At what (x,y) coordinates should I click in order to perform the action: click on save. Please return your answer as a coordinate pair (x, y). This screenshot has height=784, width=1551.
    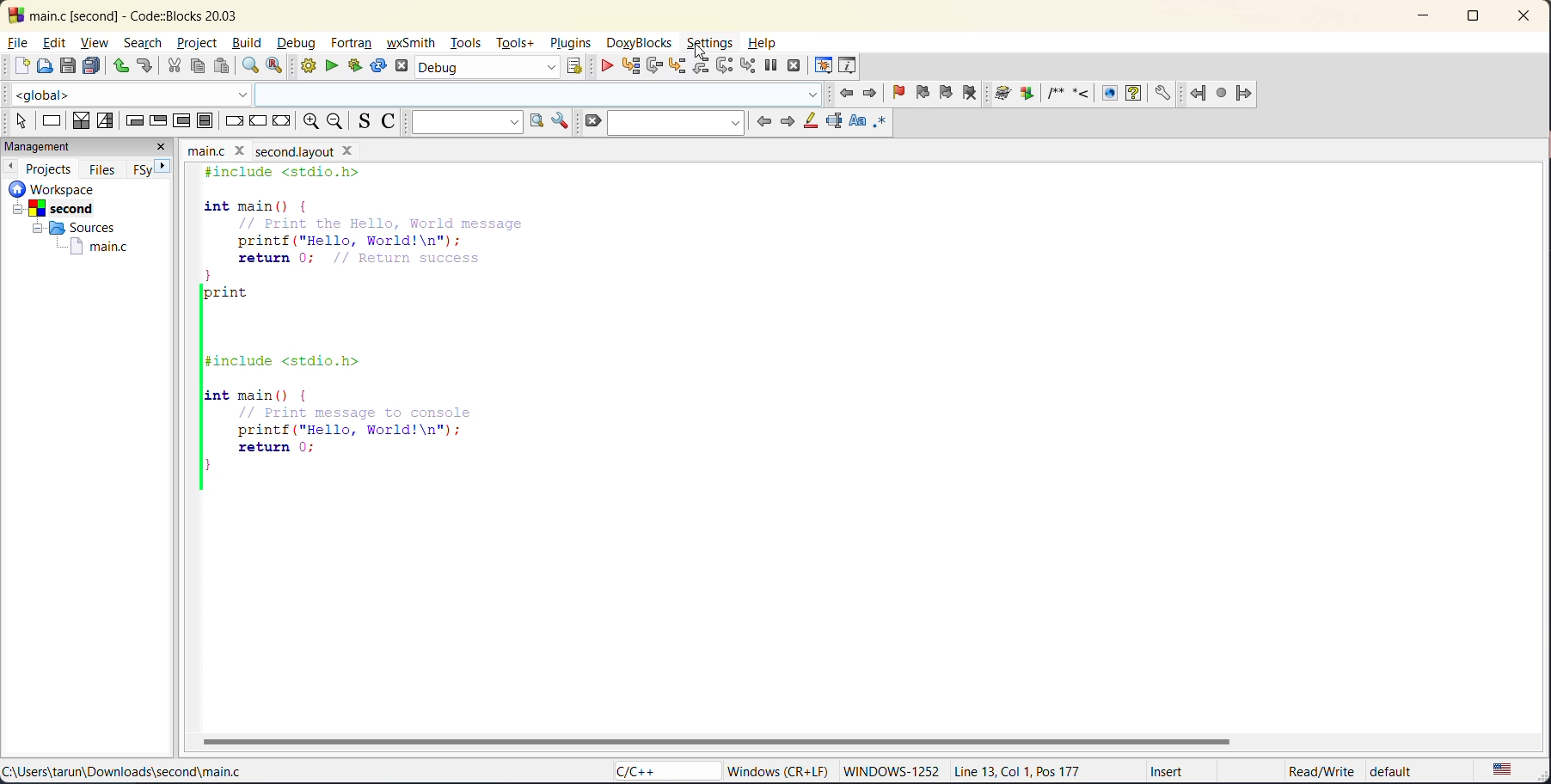
    Looking at the image, I should click on (68, 65).